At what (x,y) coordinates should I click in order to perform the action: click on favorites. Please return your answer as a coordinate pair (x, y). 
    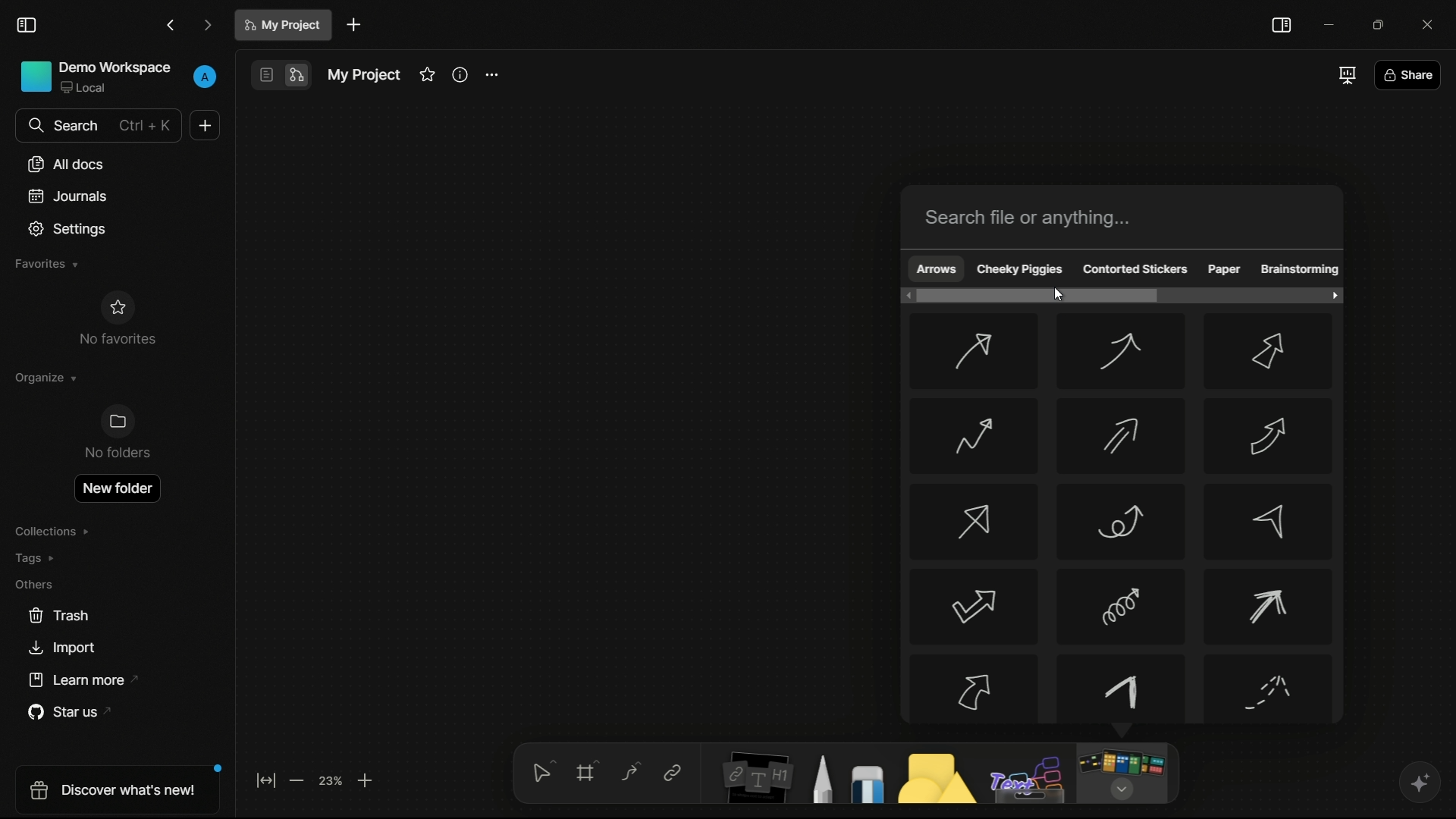
    Looking at the image, I should click on (427, 74).